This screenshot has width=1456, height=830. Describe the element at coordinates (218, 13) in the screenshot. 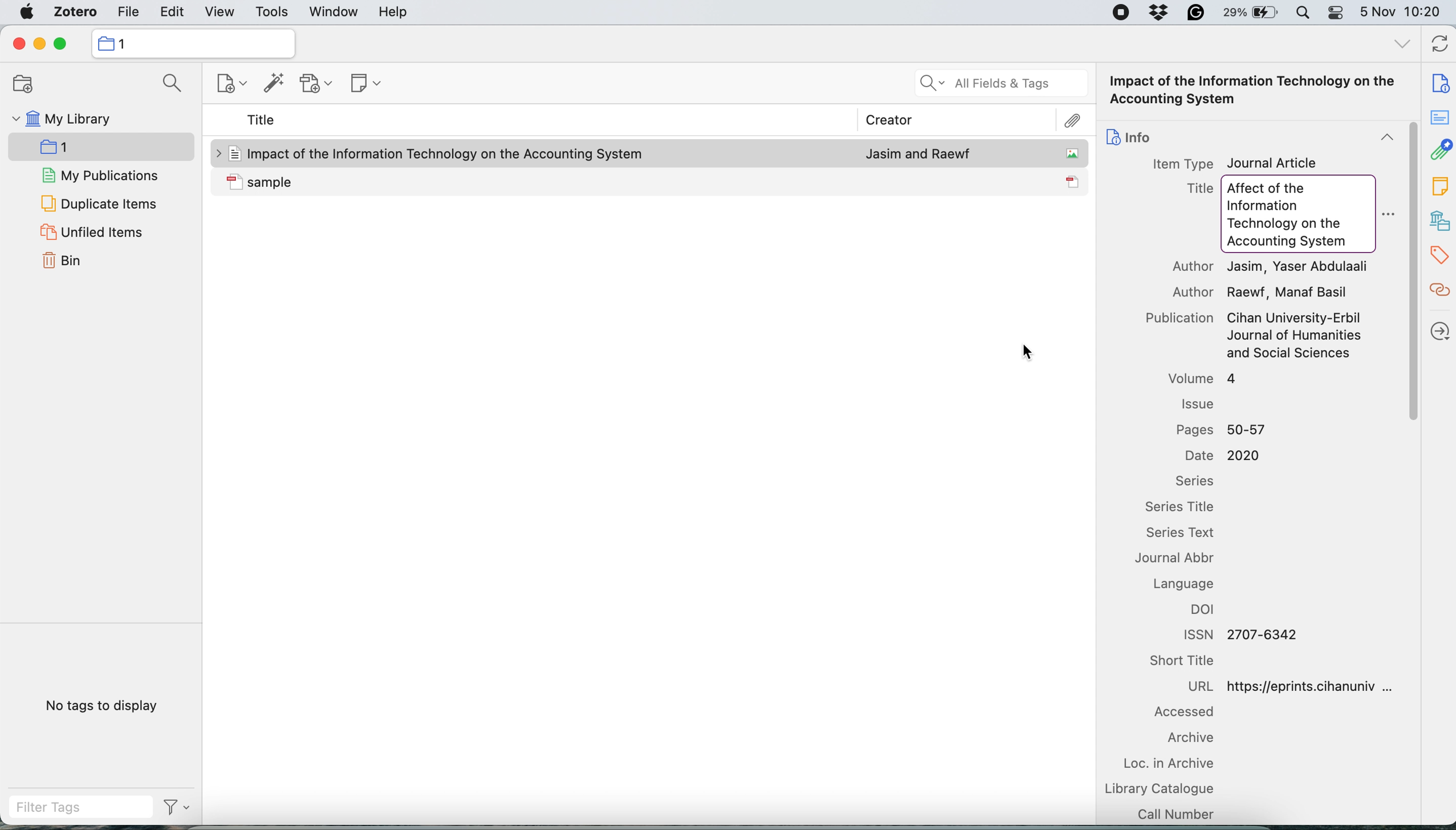

I see `view` at that location.